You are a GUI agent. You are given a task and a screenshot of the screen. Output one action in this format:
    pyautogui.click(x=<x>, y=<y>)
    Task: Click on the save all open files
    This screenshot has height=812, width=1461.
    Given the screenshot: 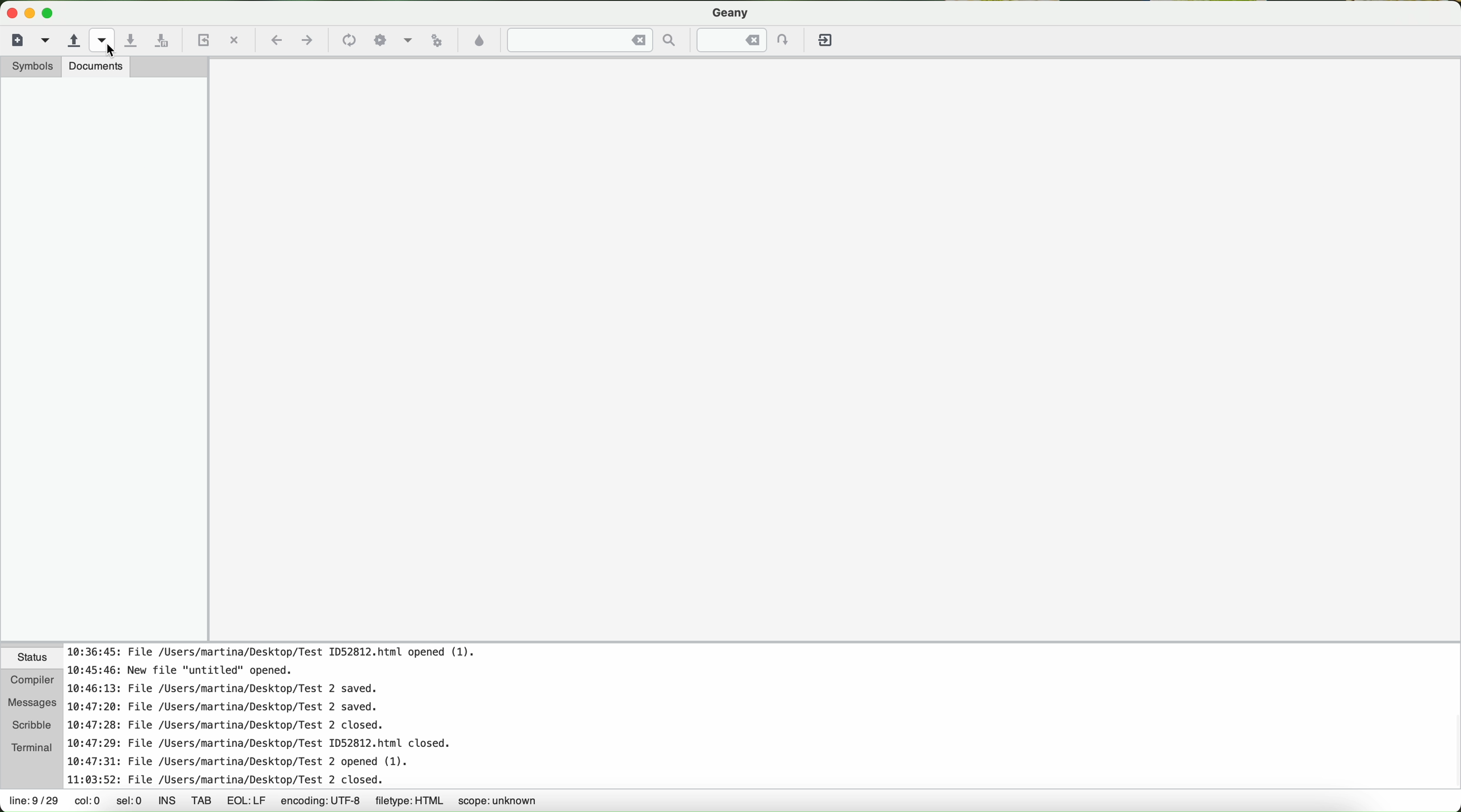 What is the action you would take?
    pyautogui.click(x=162, y=43)
    